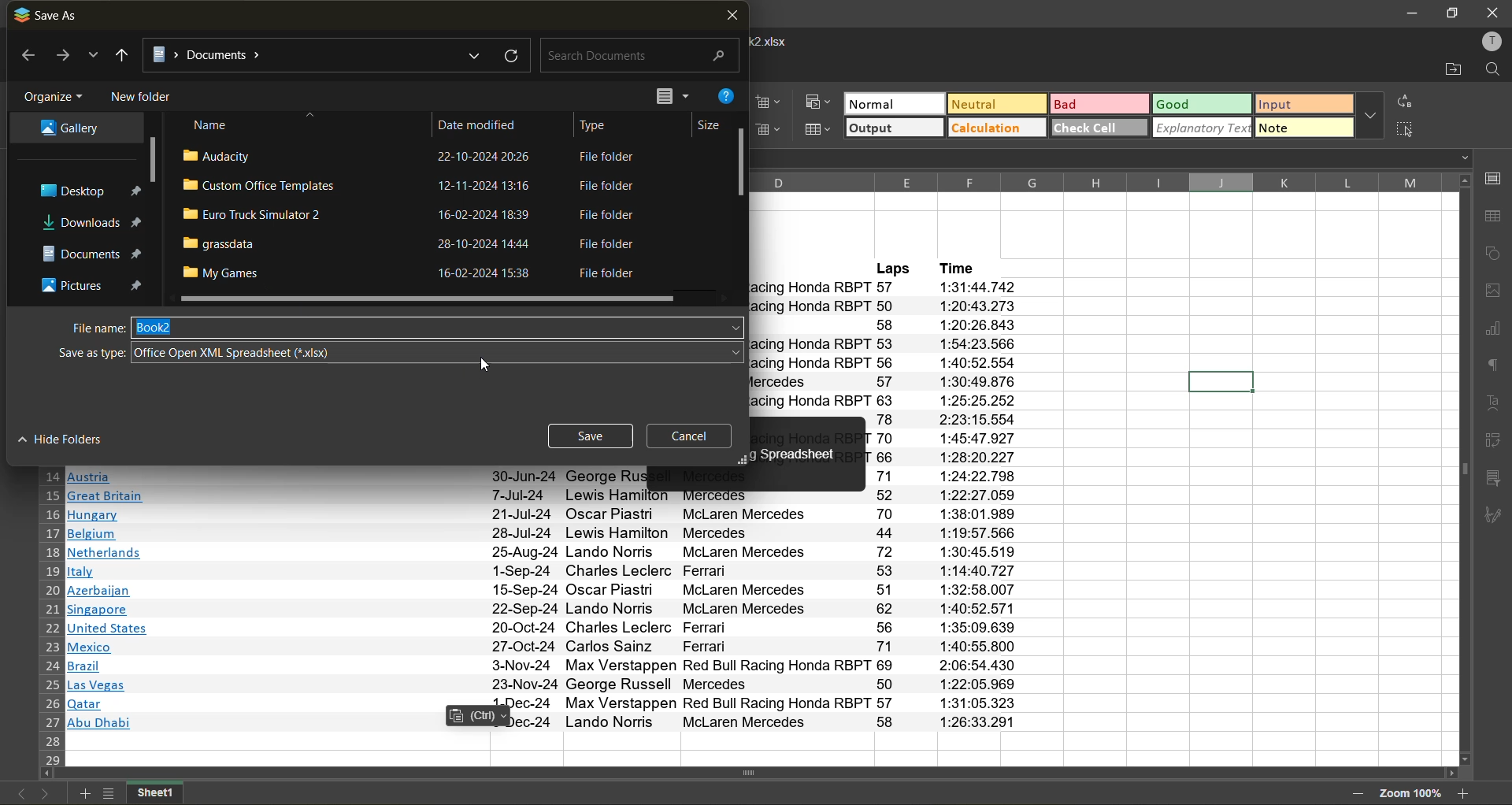  Describe the element at coordinates (1494, 219) in the screenshot. I see `table` at that location.